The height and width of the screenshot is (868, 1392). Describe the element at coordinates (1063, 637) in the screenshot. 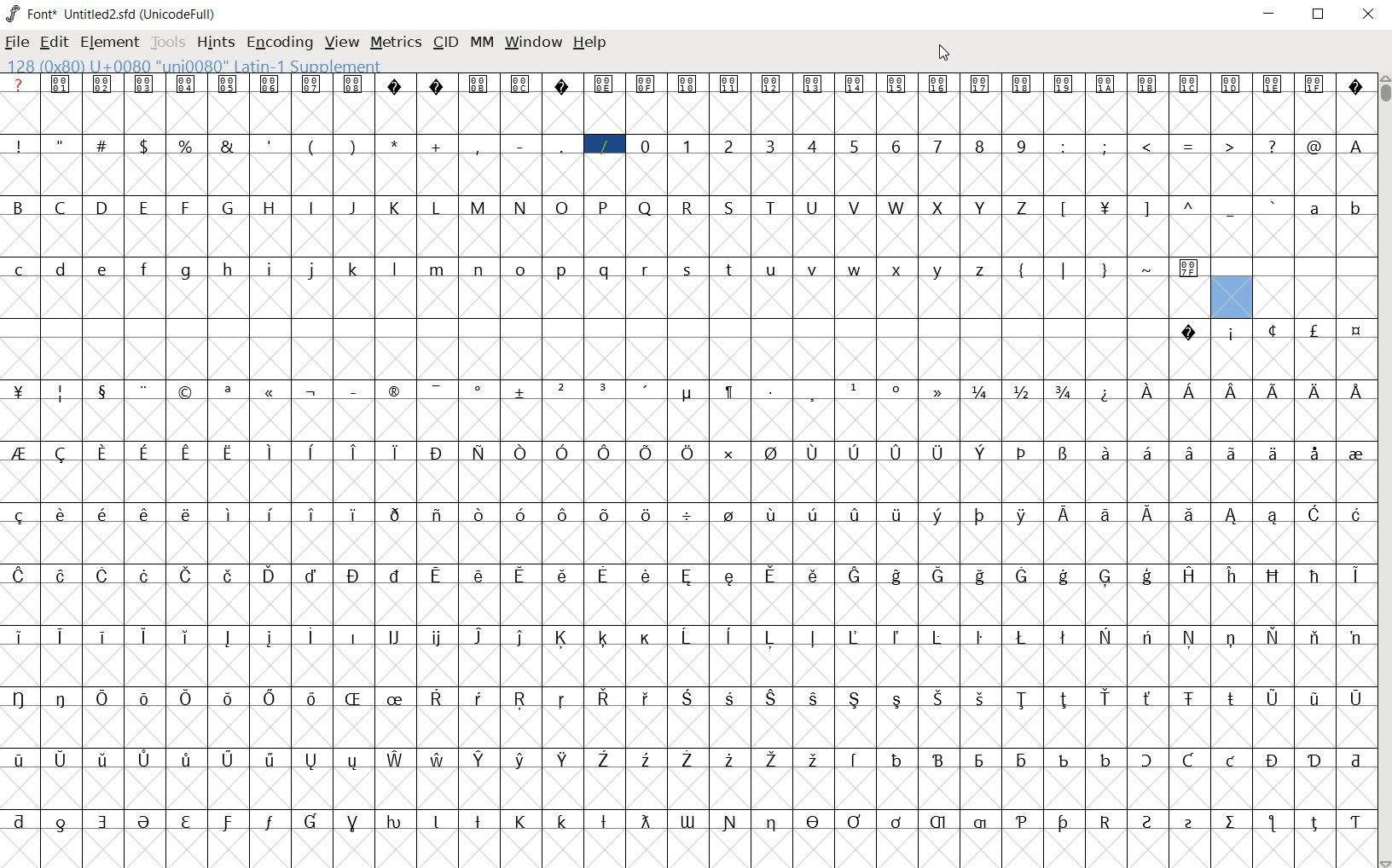

I see `glyph` at that location.